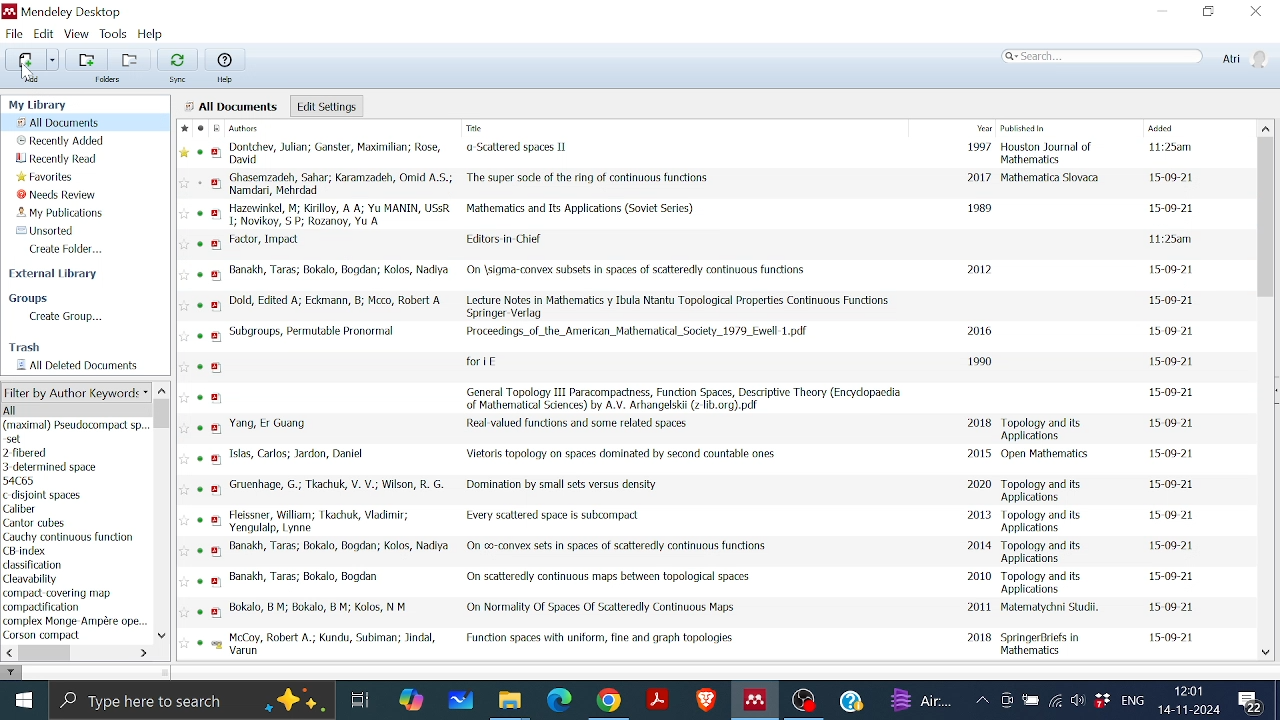  What do you see at coordinates (1042, 429) in the screenshot?
I see `Published in` at bounding box center [1042, 429].